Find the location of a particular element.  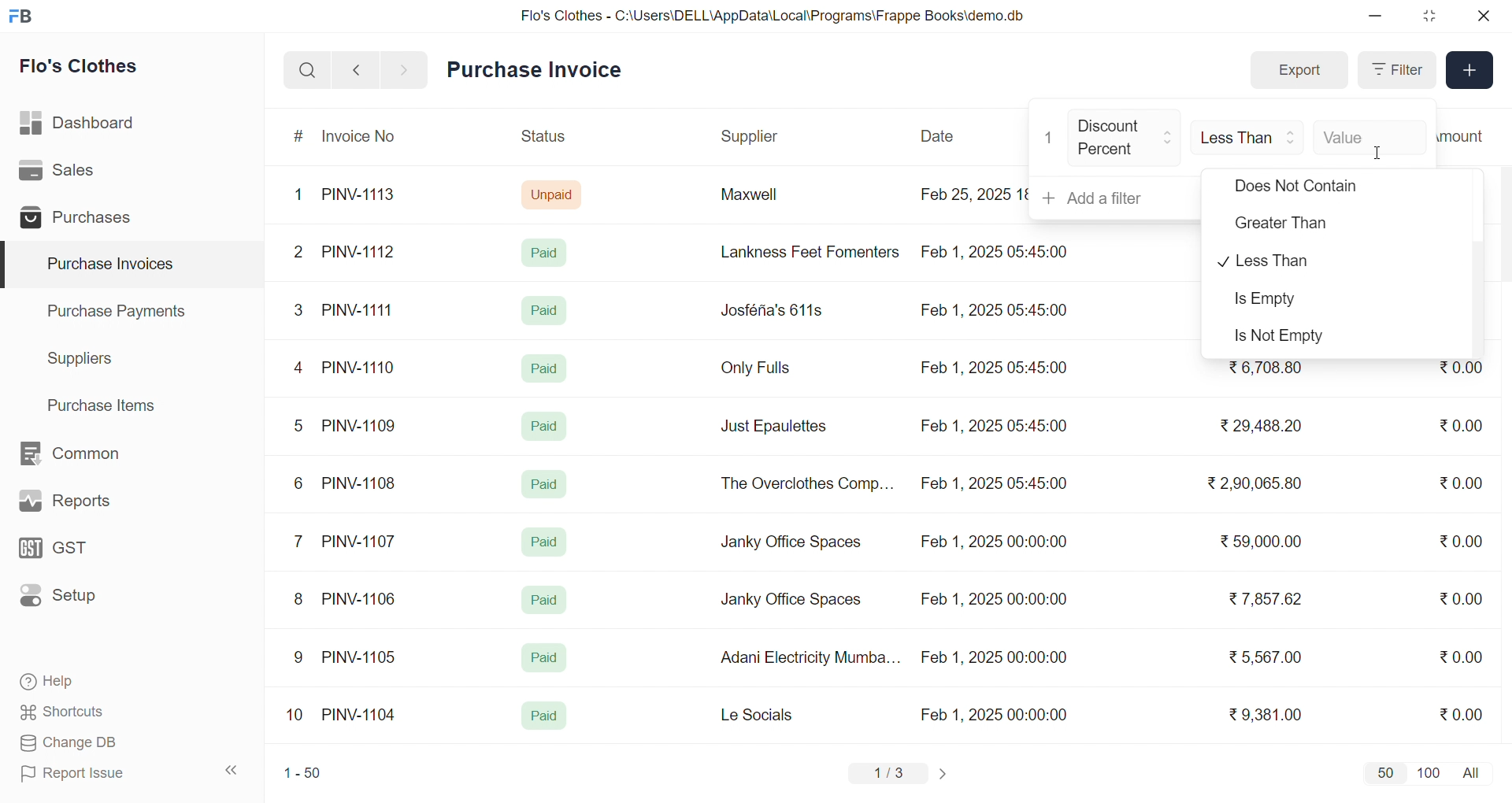

Suppliers is located at coordinates (83, 358).